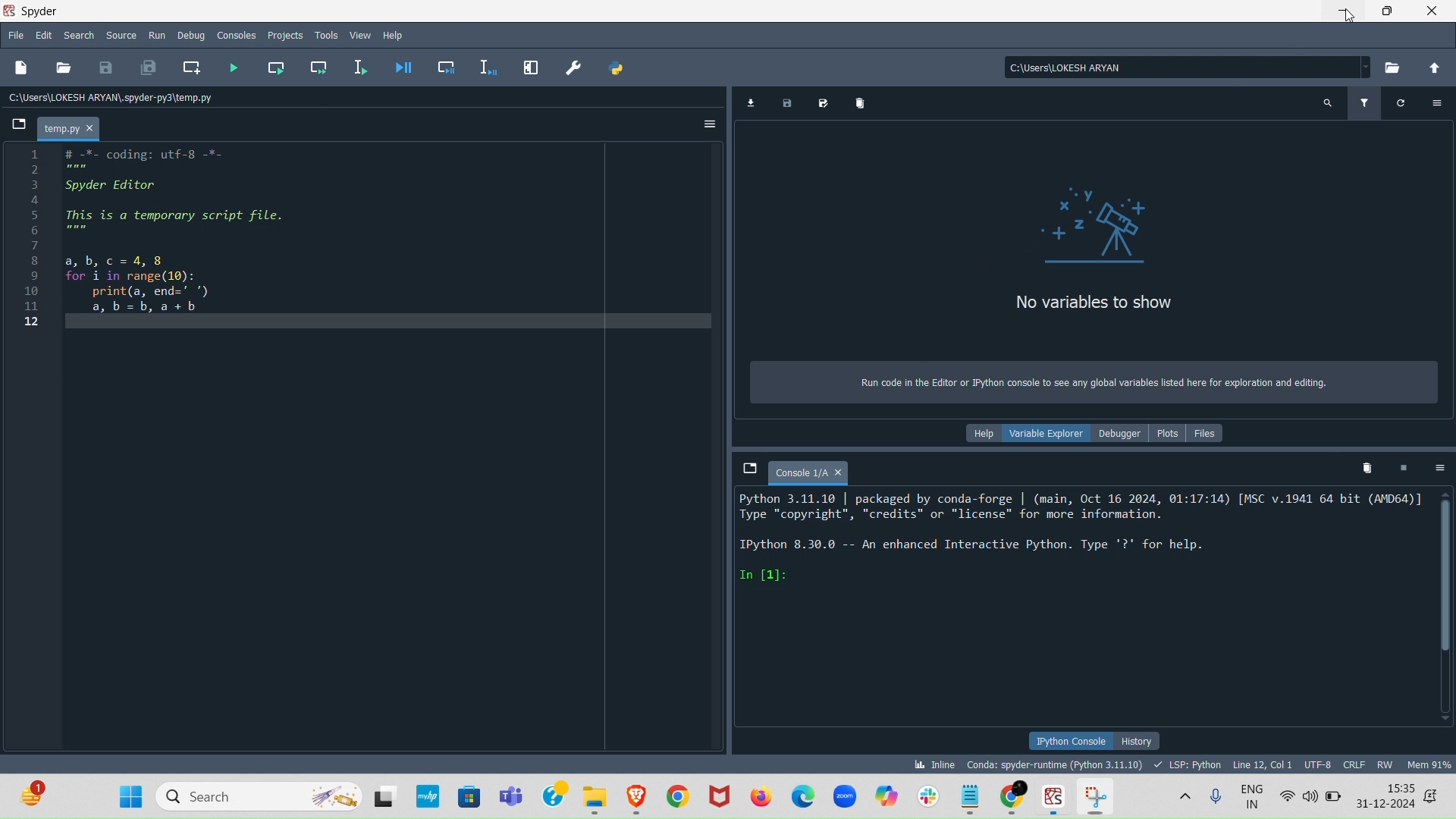 This screenshot has height=819, width=1456. What do you see at coordinates (1118, 434) in the screenshot?
I see `Debugger` at bounding box center [1118, 434].